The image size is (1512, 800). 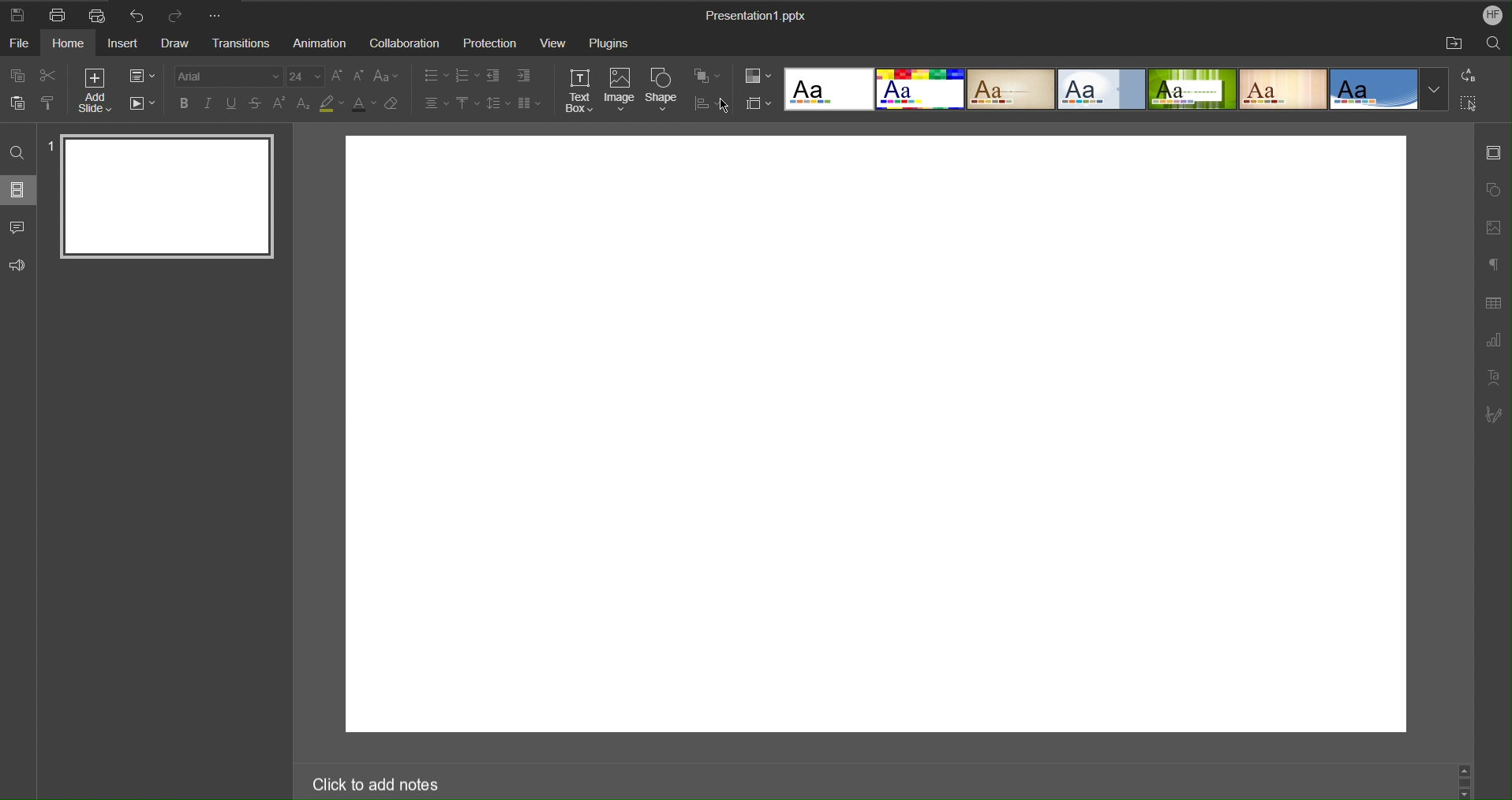 What do you see at coordinates (304, 103) in the screenshot?
I see `Subscript` at bounding box center [304, 103].